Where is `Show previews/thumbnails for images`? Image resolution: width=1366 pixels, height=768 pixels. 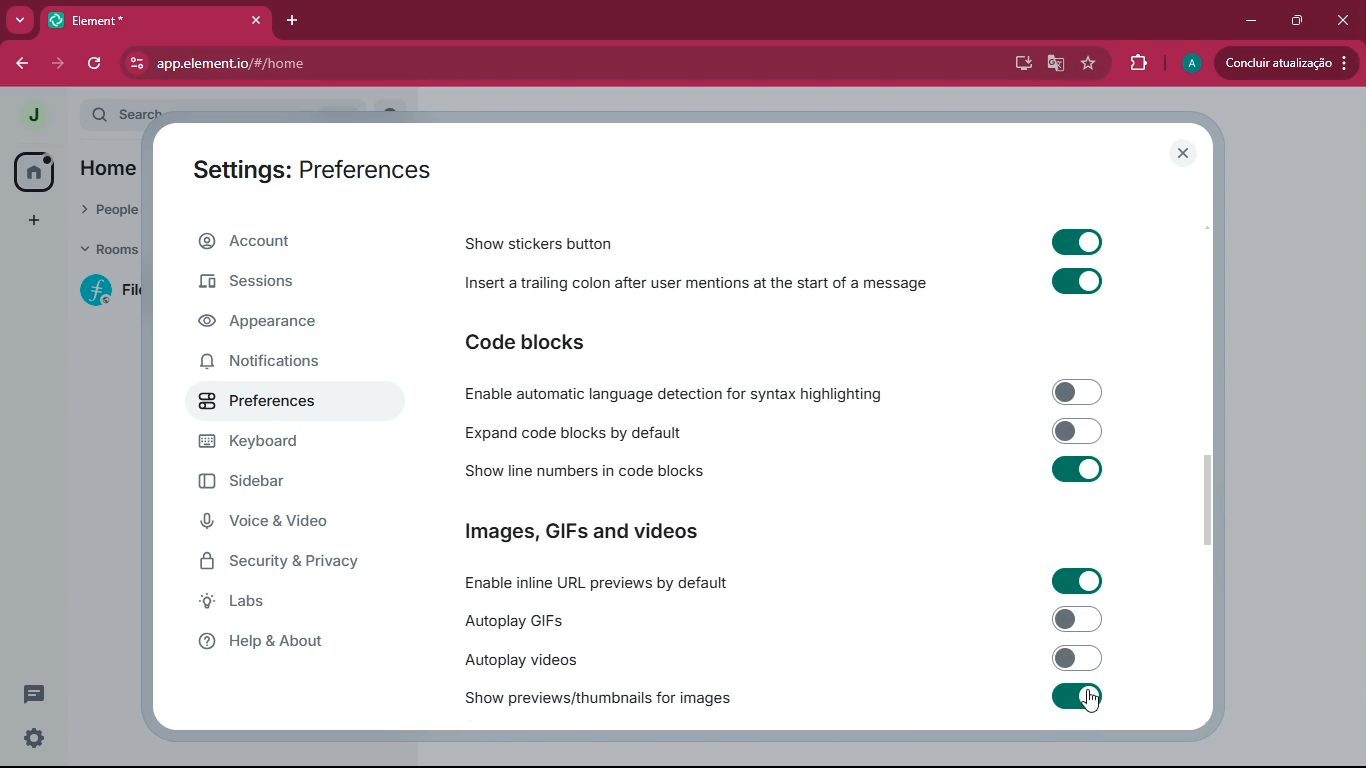
Show previews/thumbnails for images is located at coordinates (593, 699).